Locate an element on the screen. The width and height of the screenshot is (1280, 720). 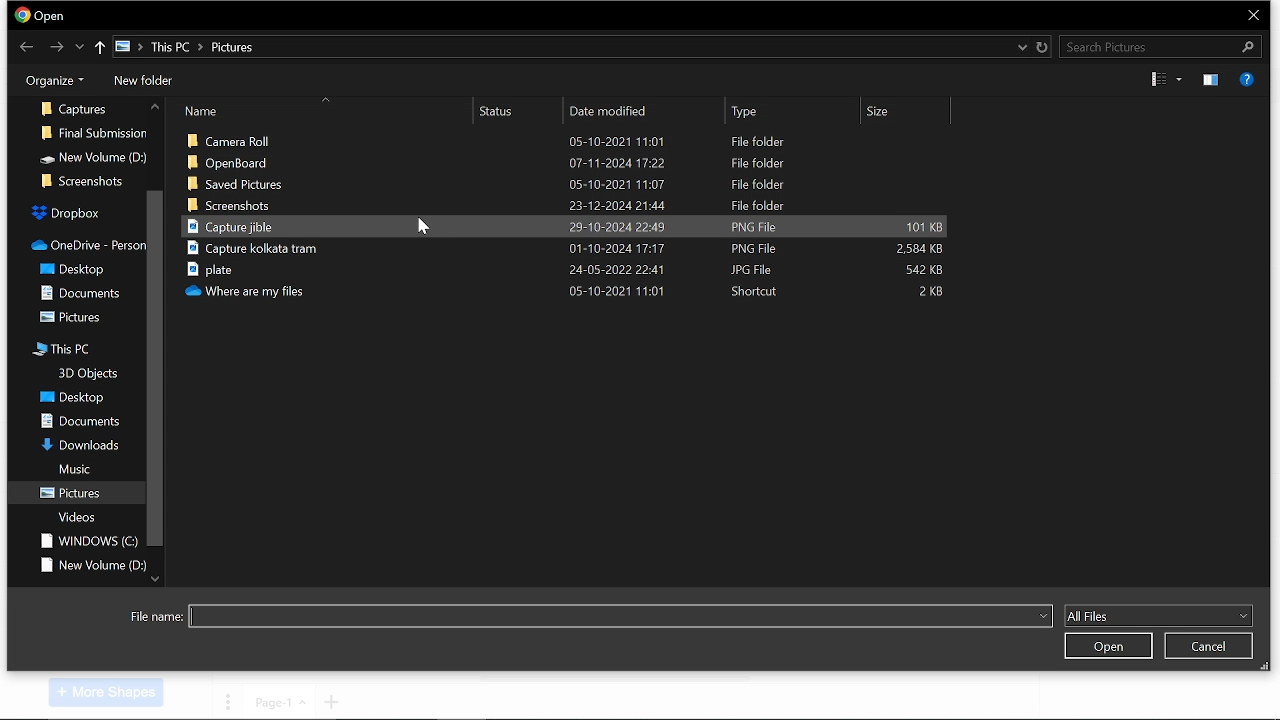
previous is located at coordinates (27, 45).